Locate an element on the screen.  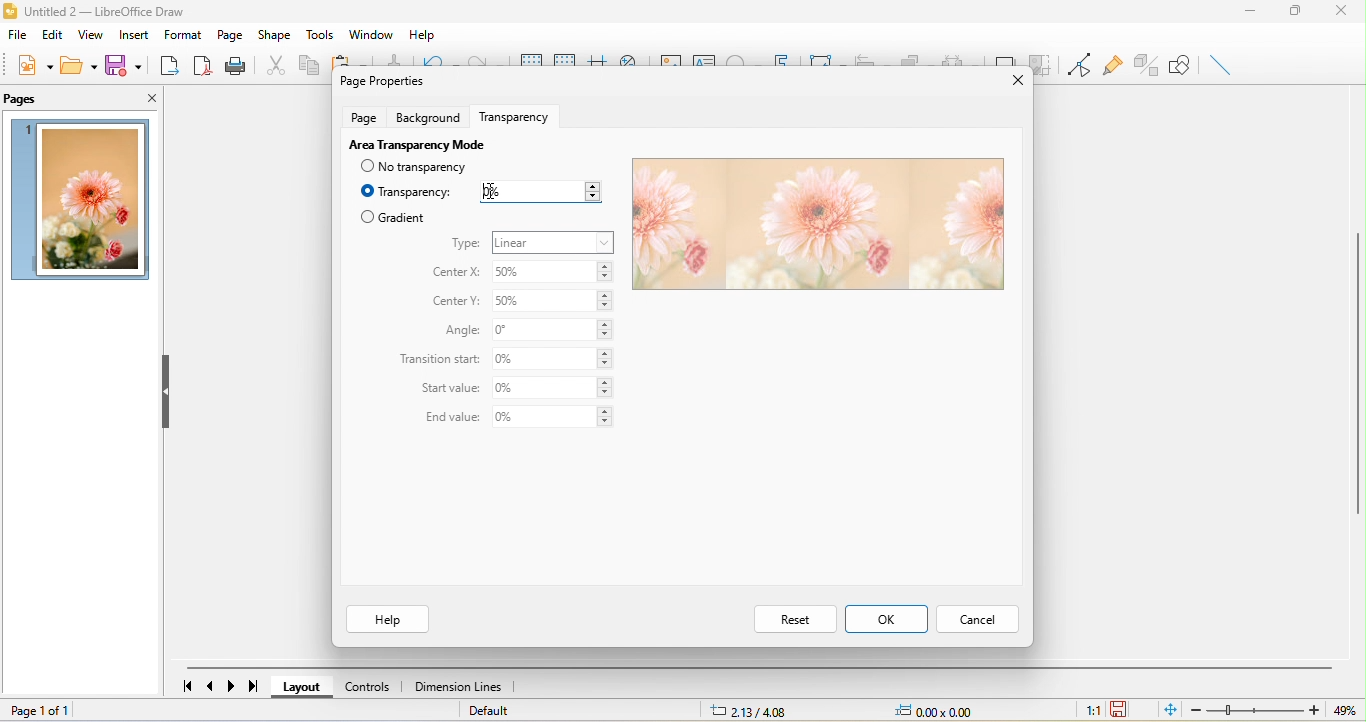
maximize is located at coordinates (1305, 13).